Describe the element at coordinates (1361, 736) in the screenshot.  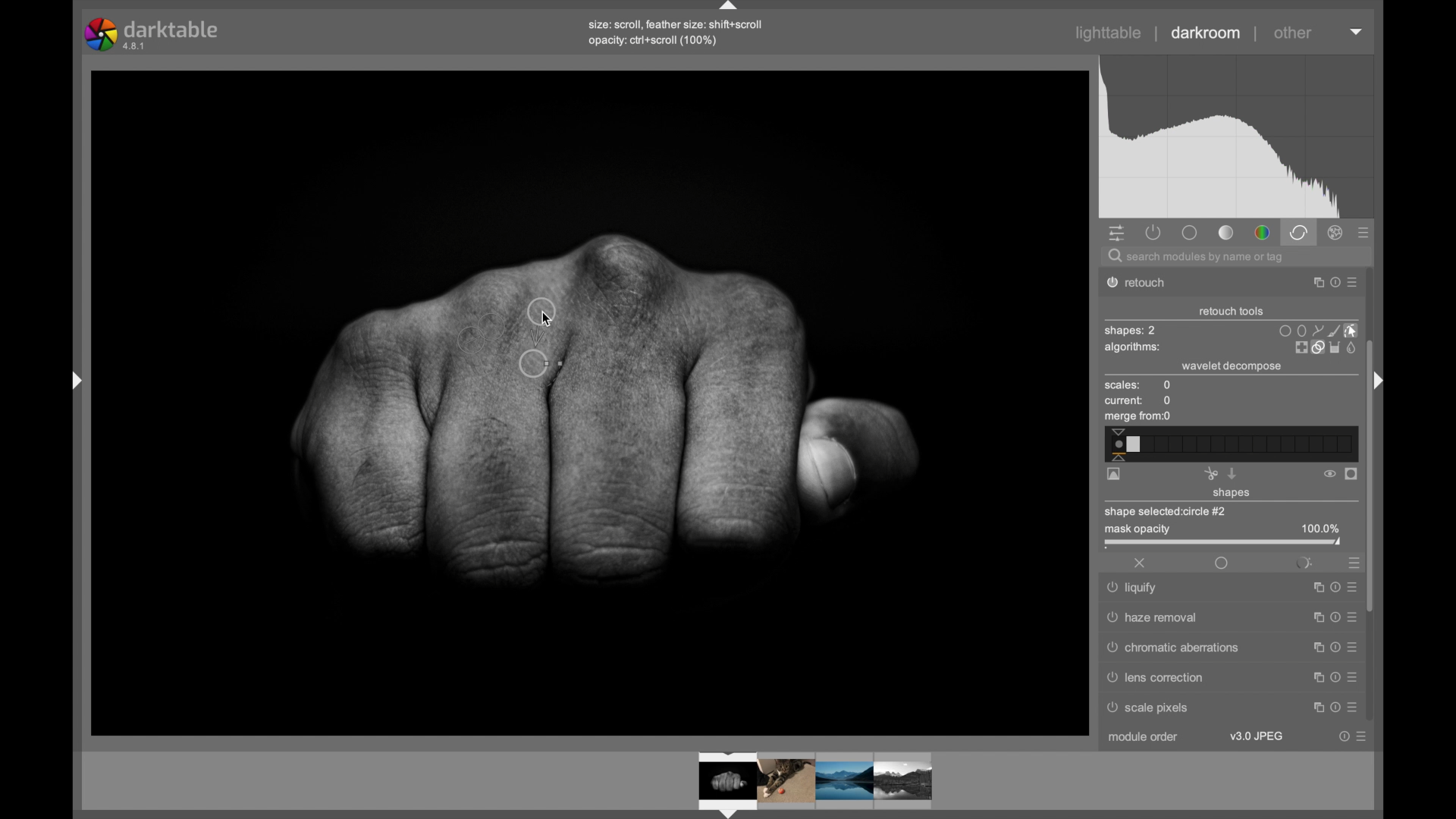
I see `more options` at that location.